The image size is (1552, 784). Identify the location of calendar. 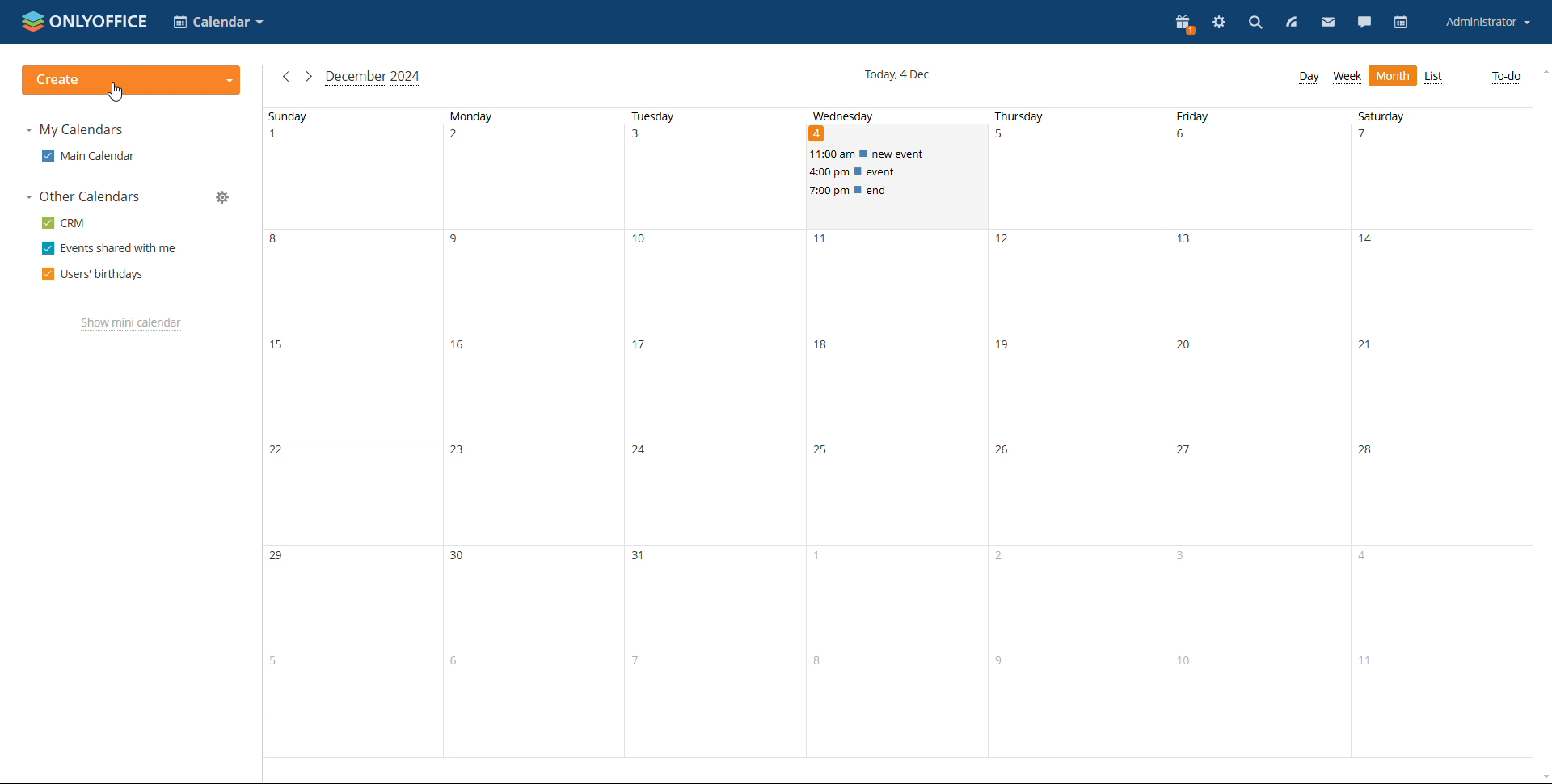
(1402, 23).